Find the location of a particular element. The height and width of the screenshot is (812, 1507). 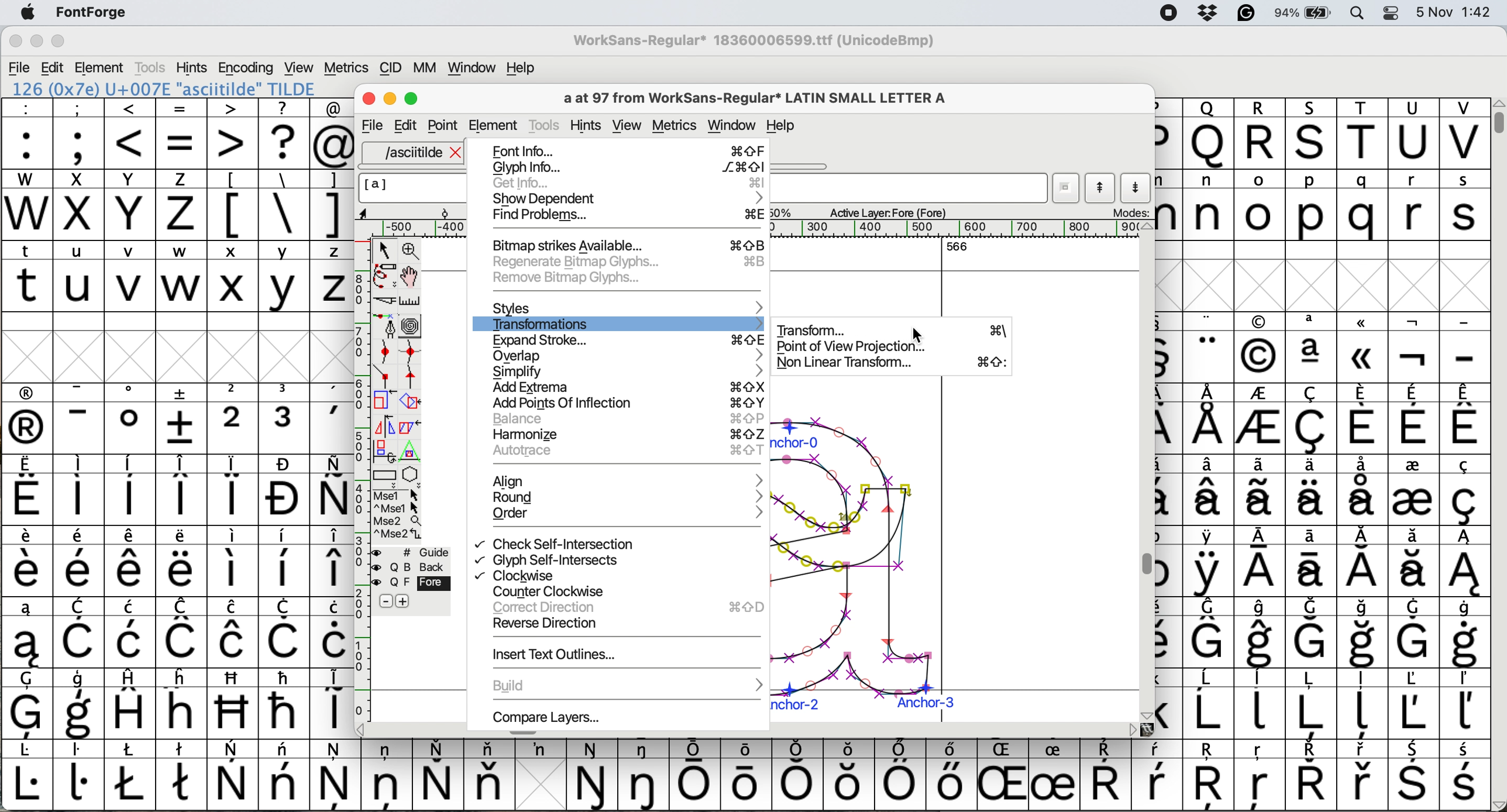

add a curve point is located at coordinates (386, 352).